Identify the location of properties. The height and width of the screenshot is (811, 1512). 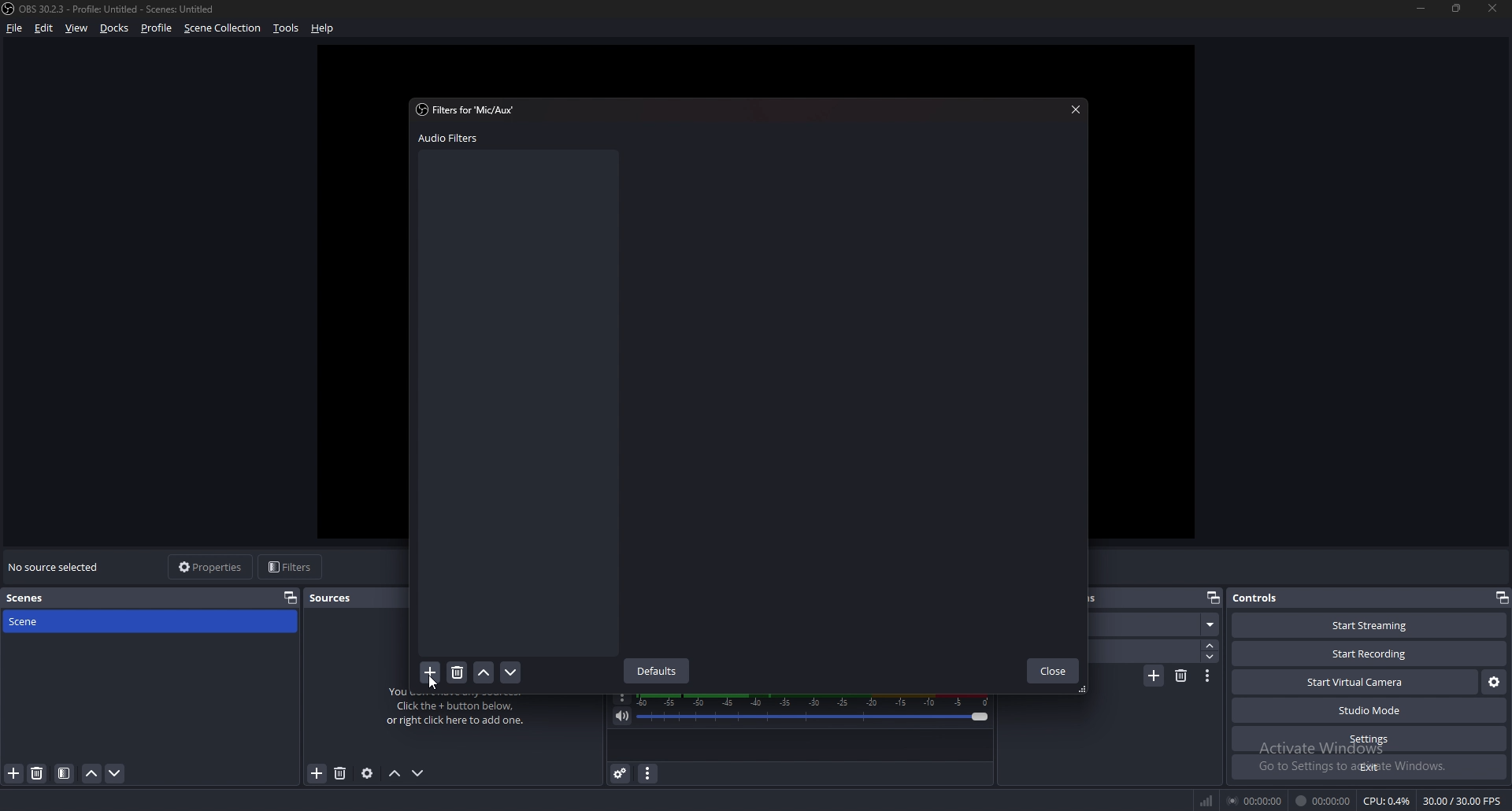
(215, 568).